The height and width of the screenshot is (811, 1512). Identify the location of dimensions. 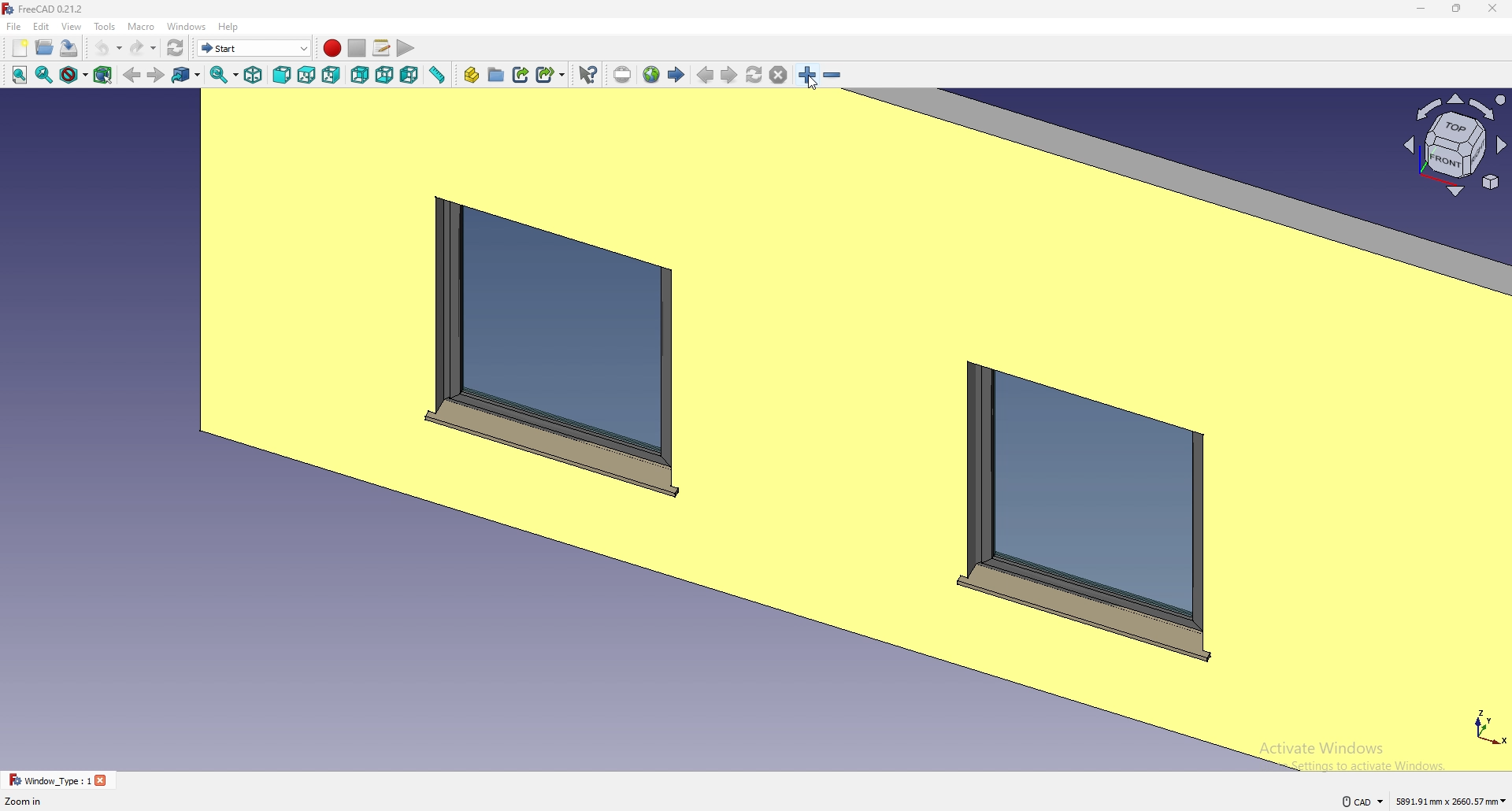
(1452, 800).